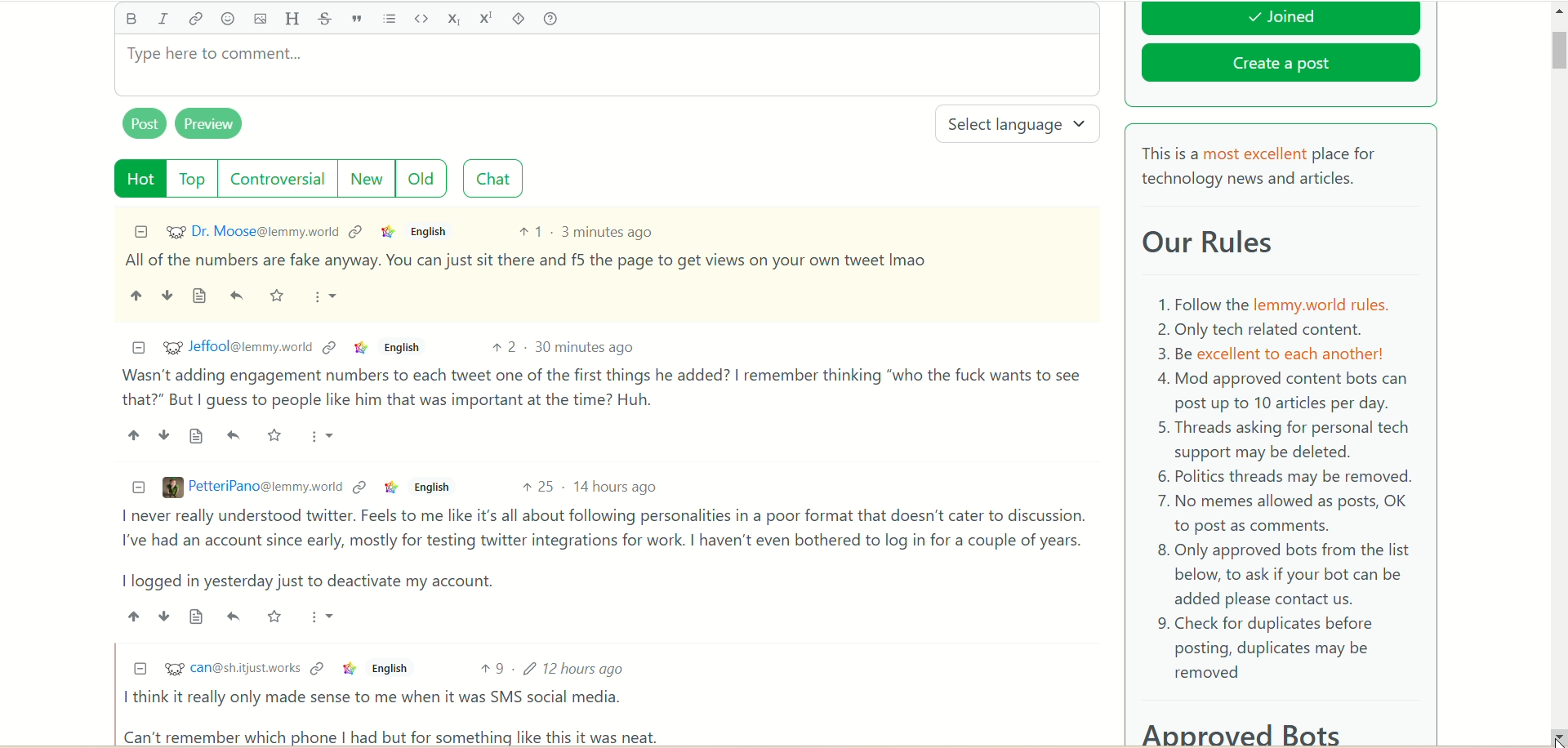  Describe the element at coordinates (357, 231) in the screenshot. I see `Link` at that location.